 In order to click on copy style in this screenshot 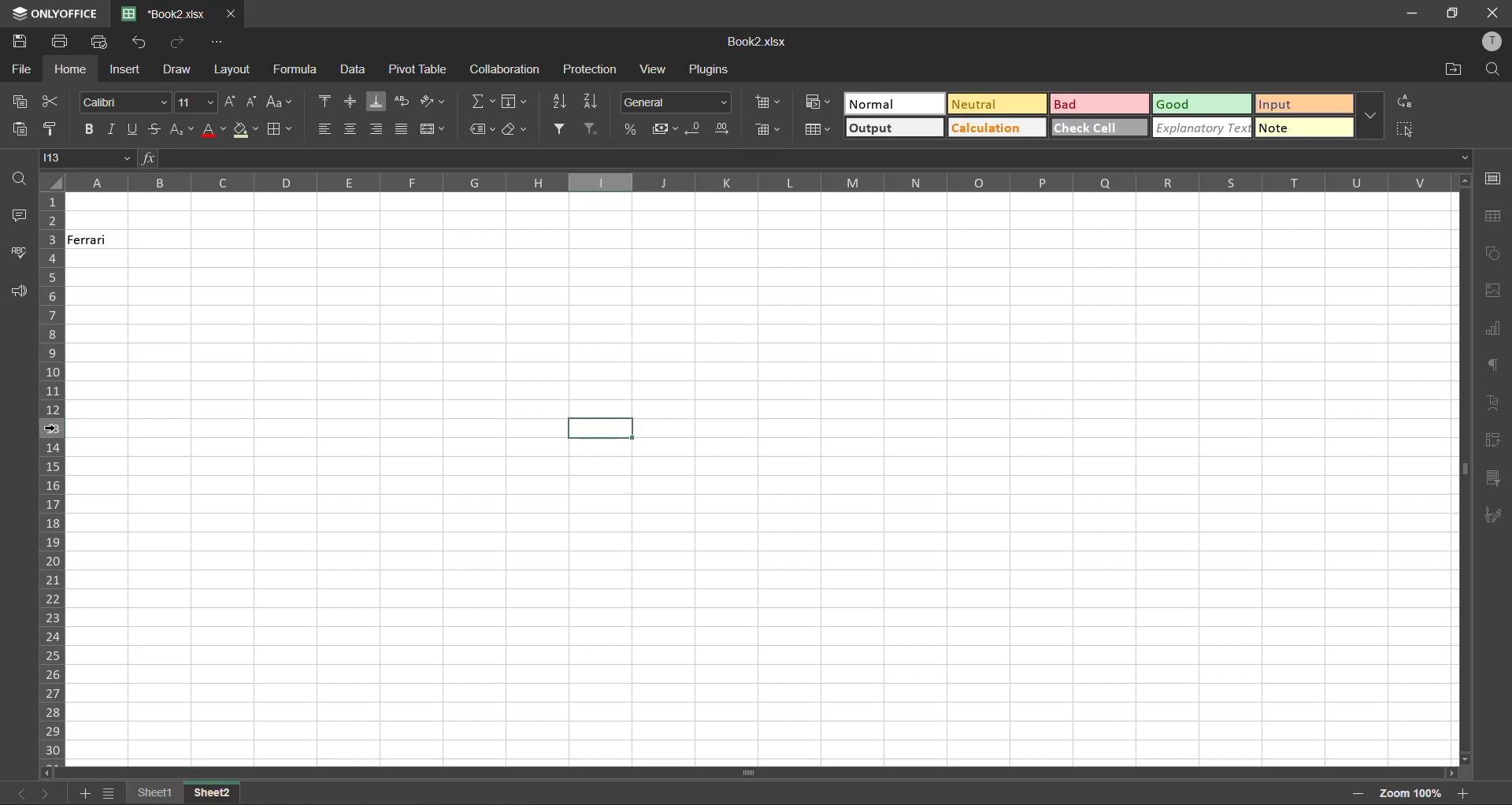, I will do `click(55, 126)`.